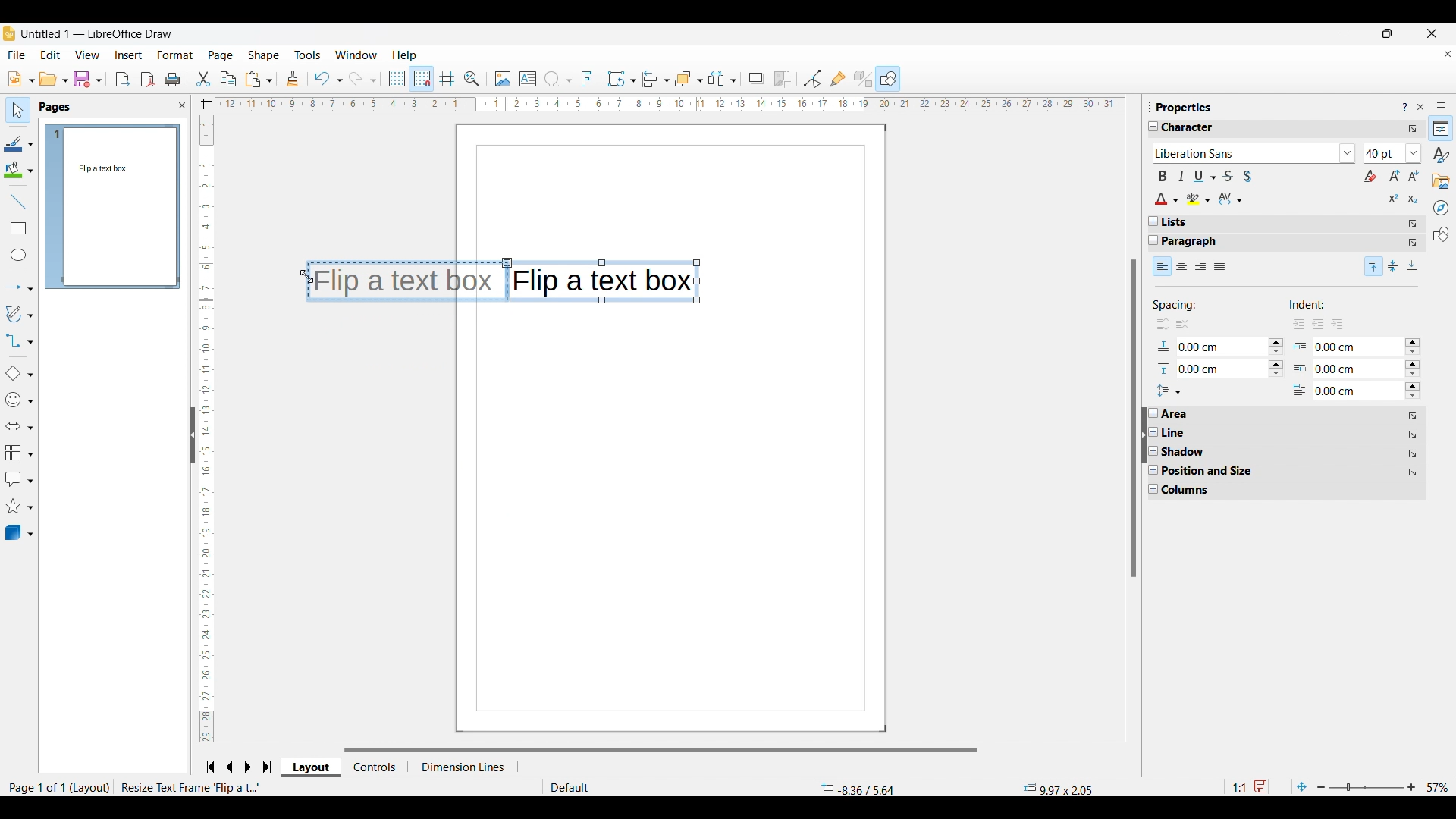  I want to click on Snap to grid, highlighted, so click(421, 79).